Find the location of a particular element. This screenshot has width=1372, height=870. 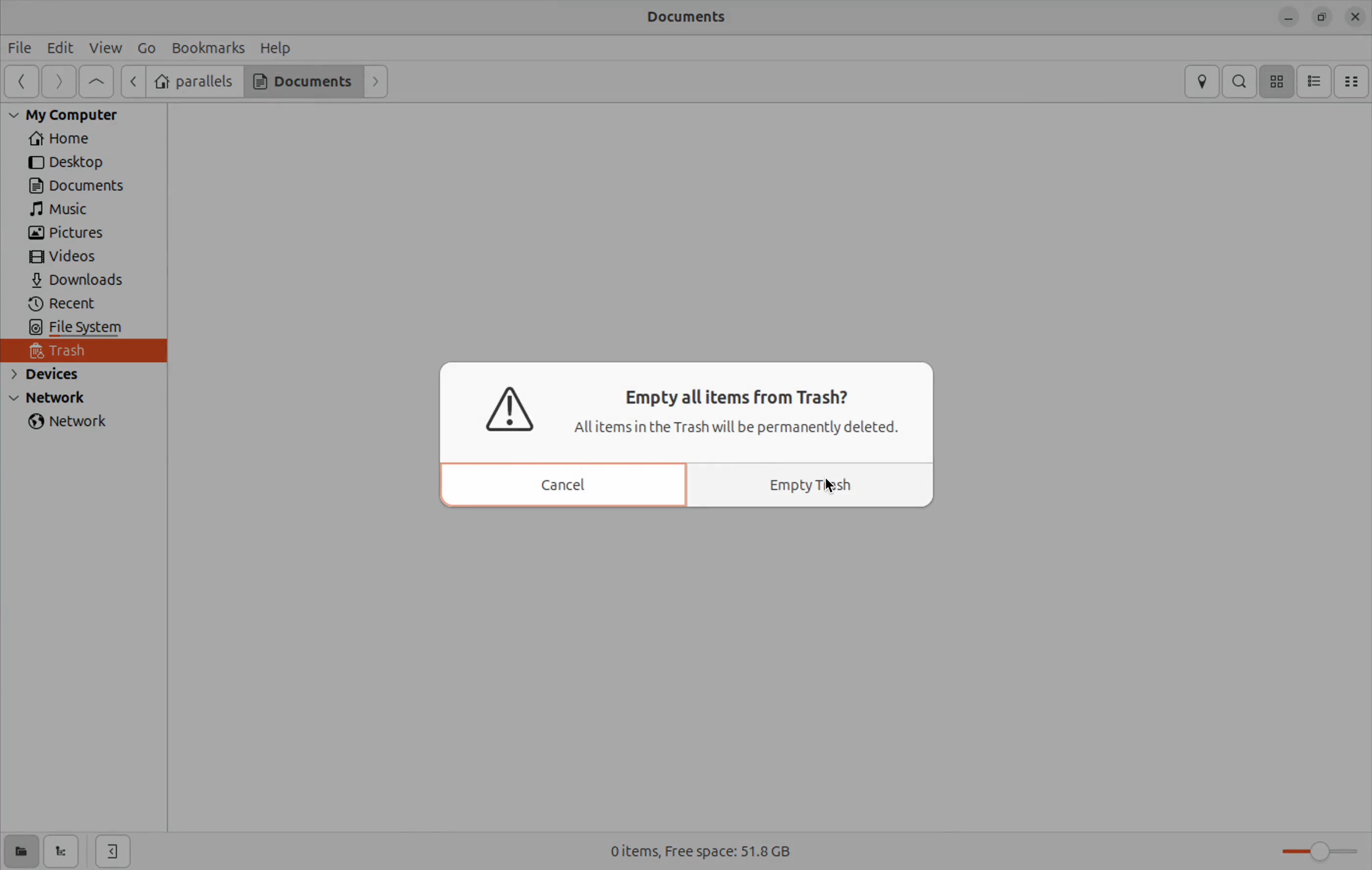

devices is located at coordinates (52, 374).